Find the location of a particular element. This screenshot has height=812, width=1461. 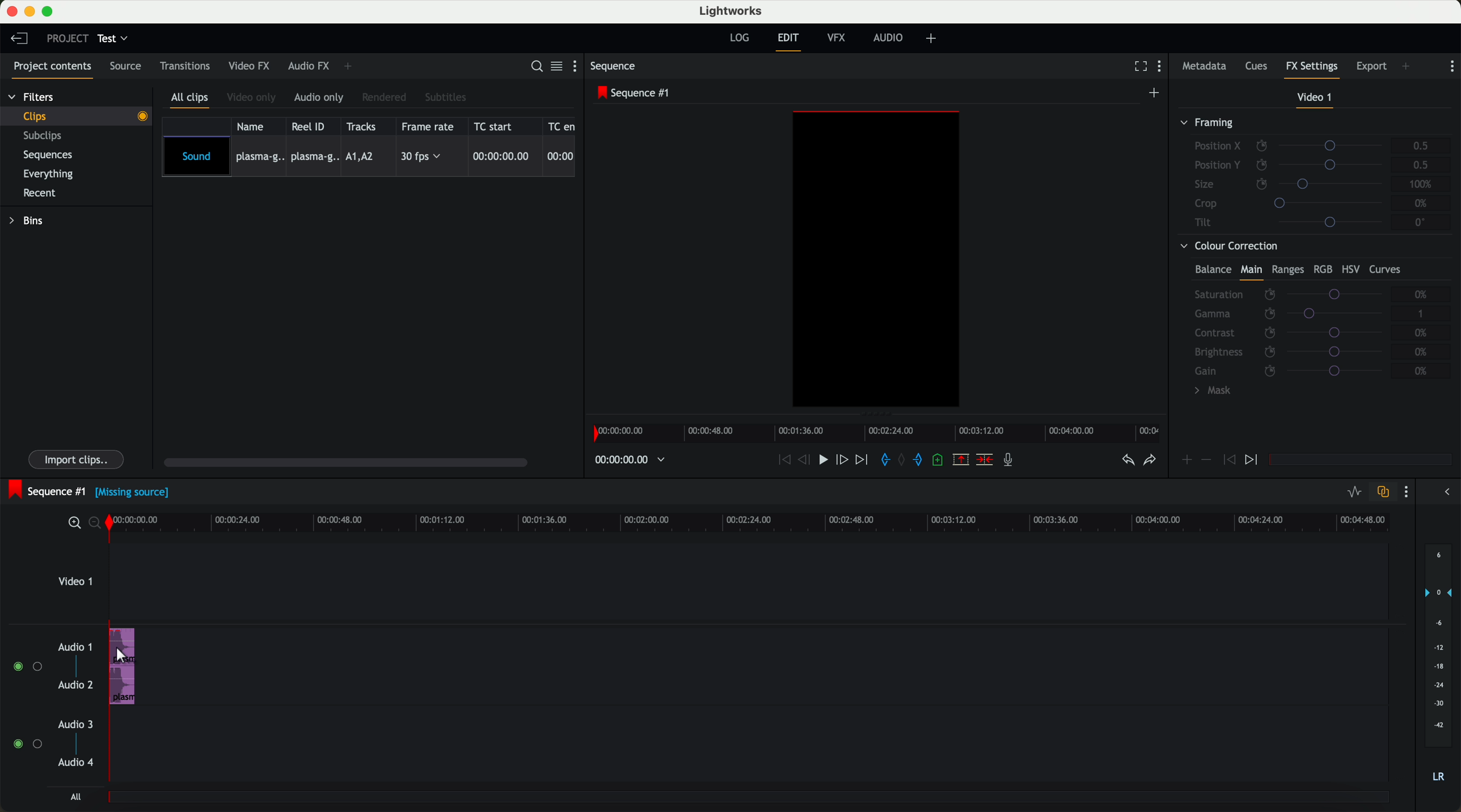

project contents is located at coordinates (49, 68).